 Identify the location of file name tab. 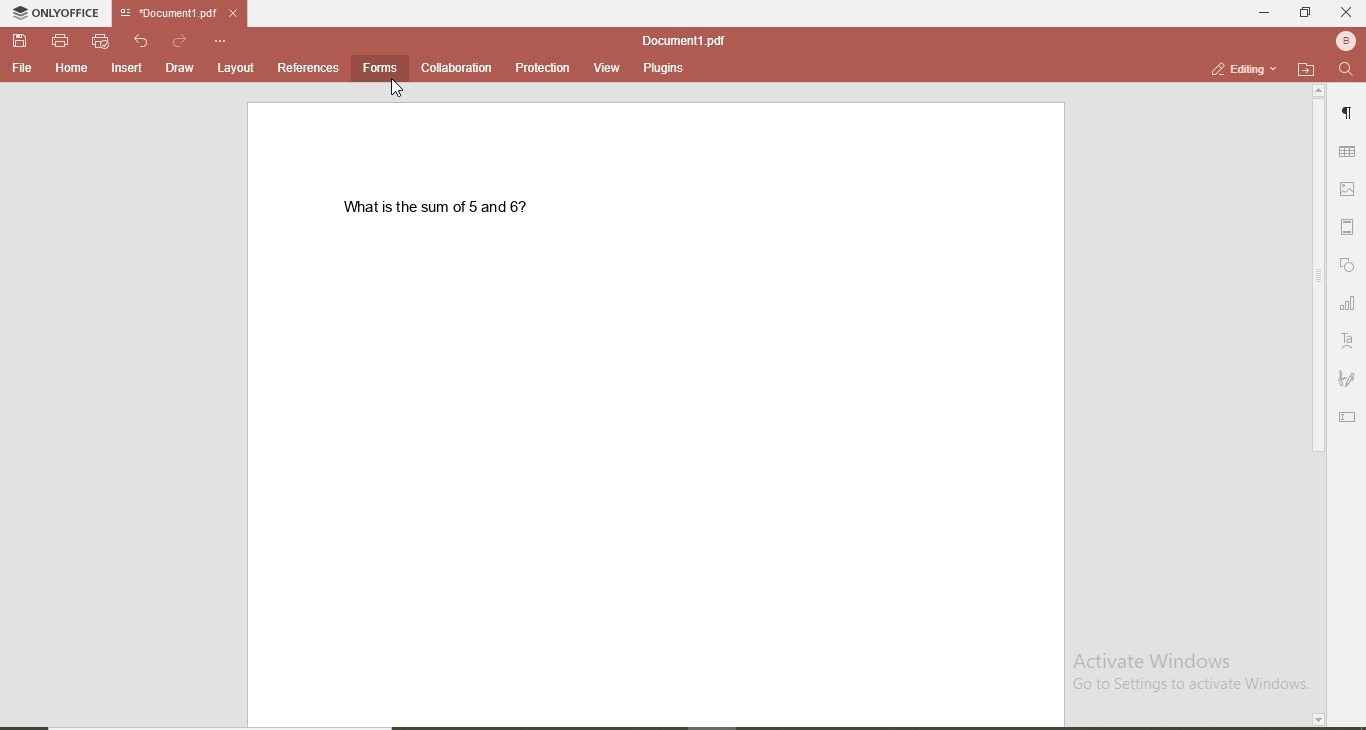
(170, 13).